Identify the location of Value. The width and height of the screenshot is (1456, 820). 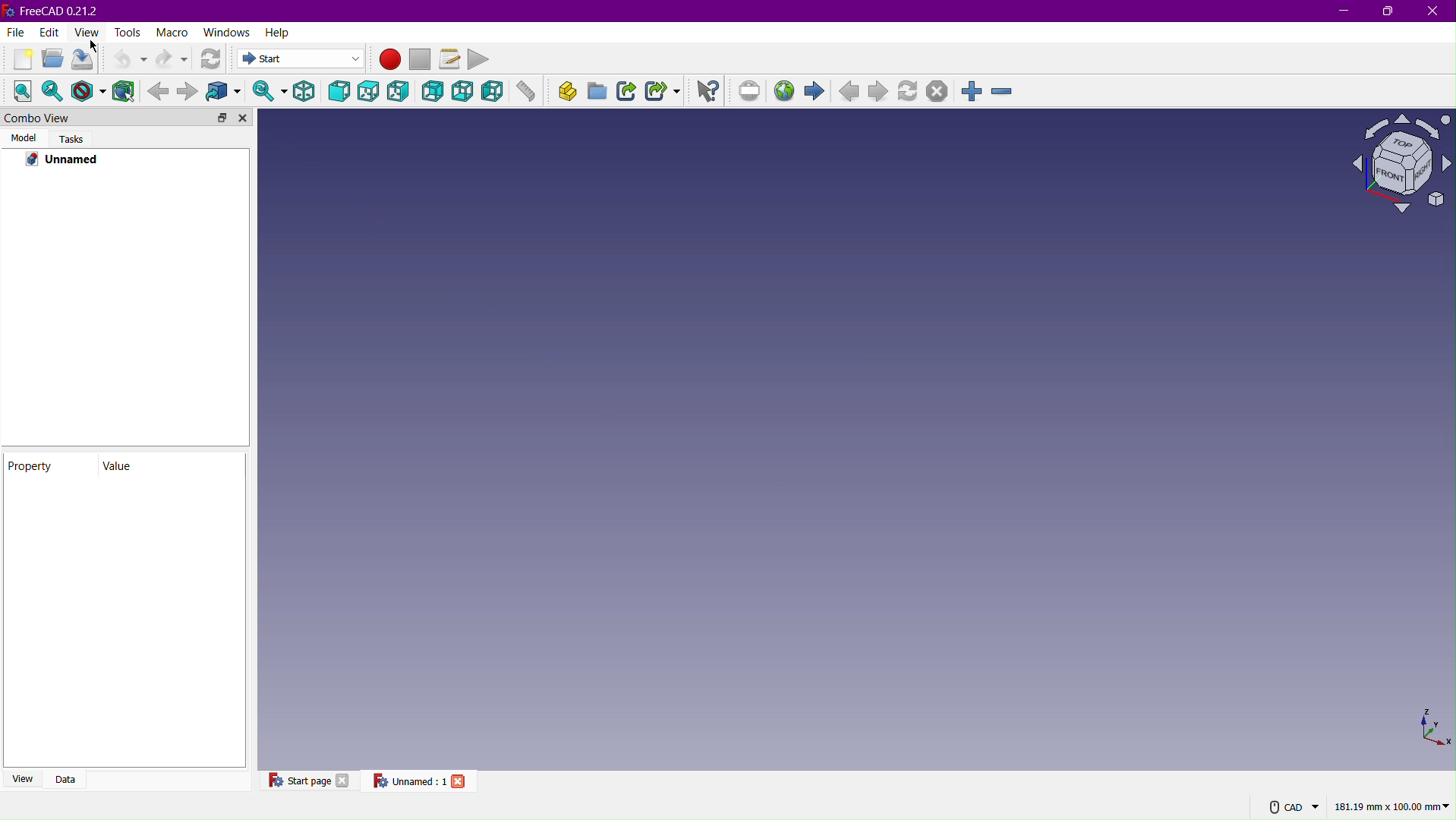
(130, 464).